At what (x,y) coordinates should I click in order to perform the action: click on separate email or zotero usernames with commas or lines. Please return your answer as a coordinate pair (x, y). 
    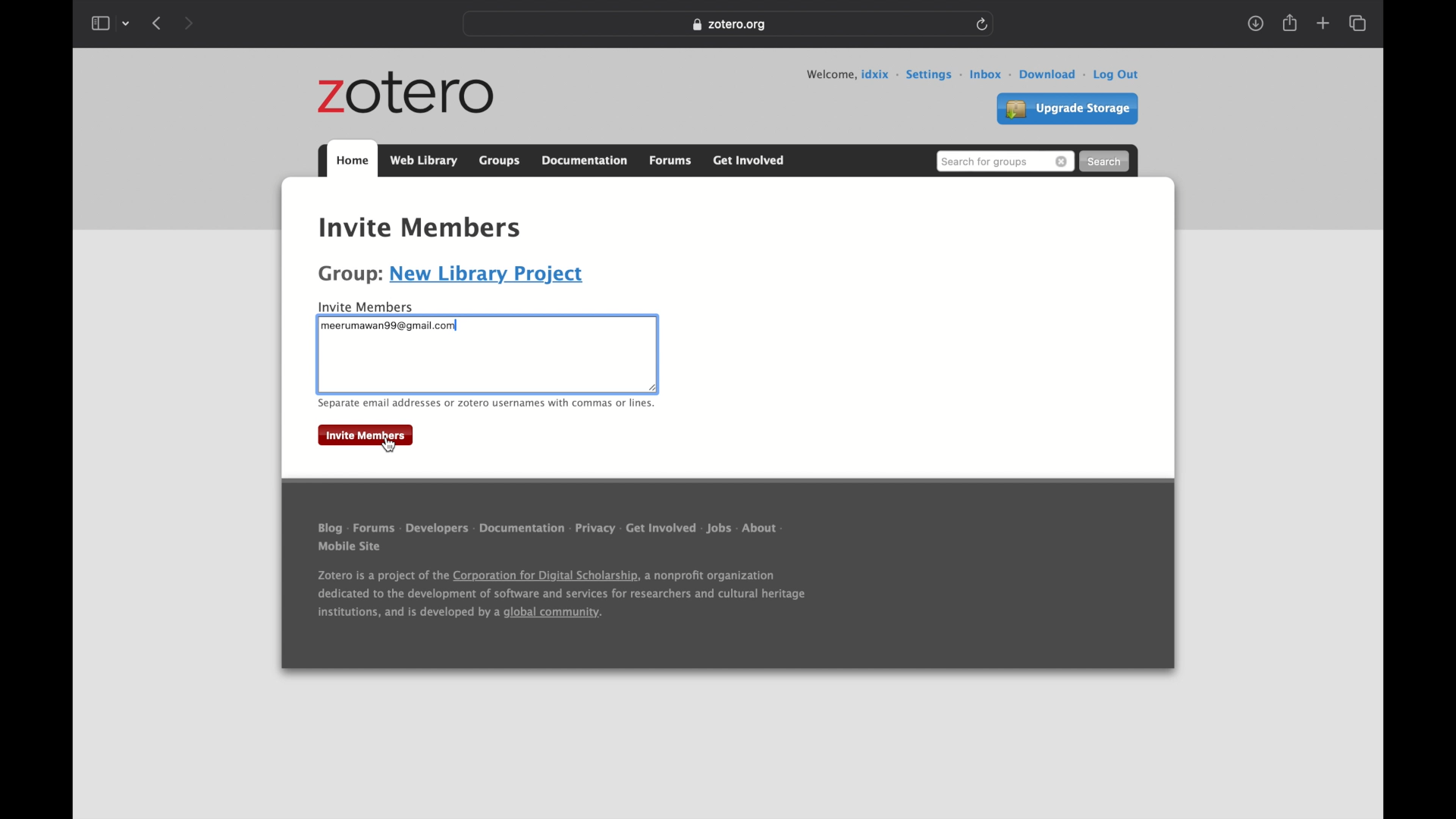
    Looking at the image, I should click on (485, 406).